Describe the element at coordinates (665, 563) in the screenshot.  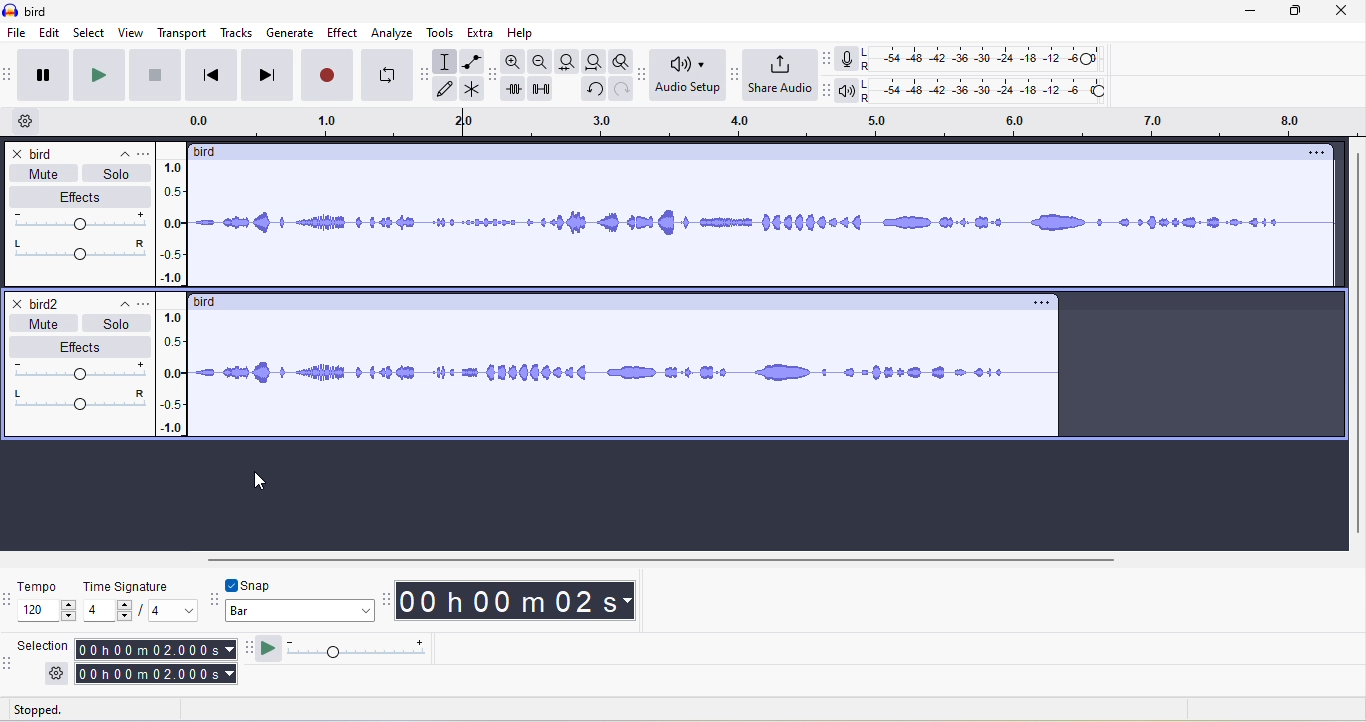
I see `horizontal scroll bar` at that location.